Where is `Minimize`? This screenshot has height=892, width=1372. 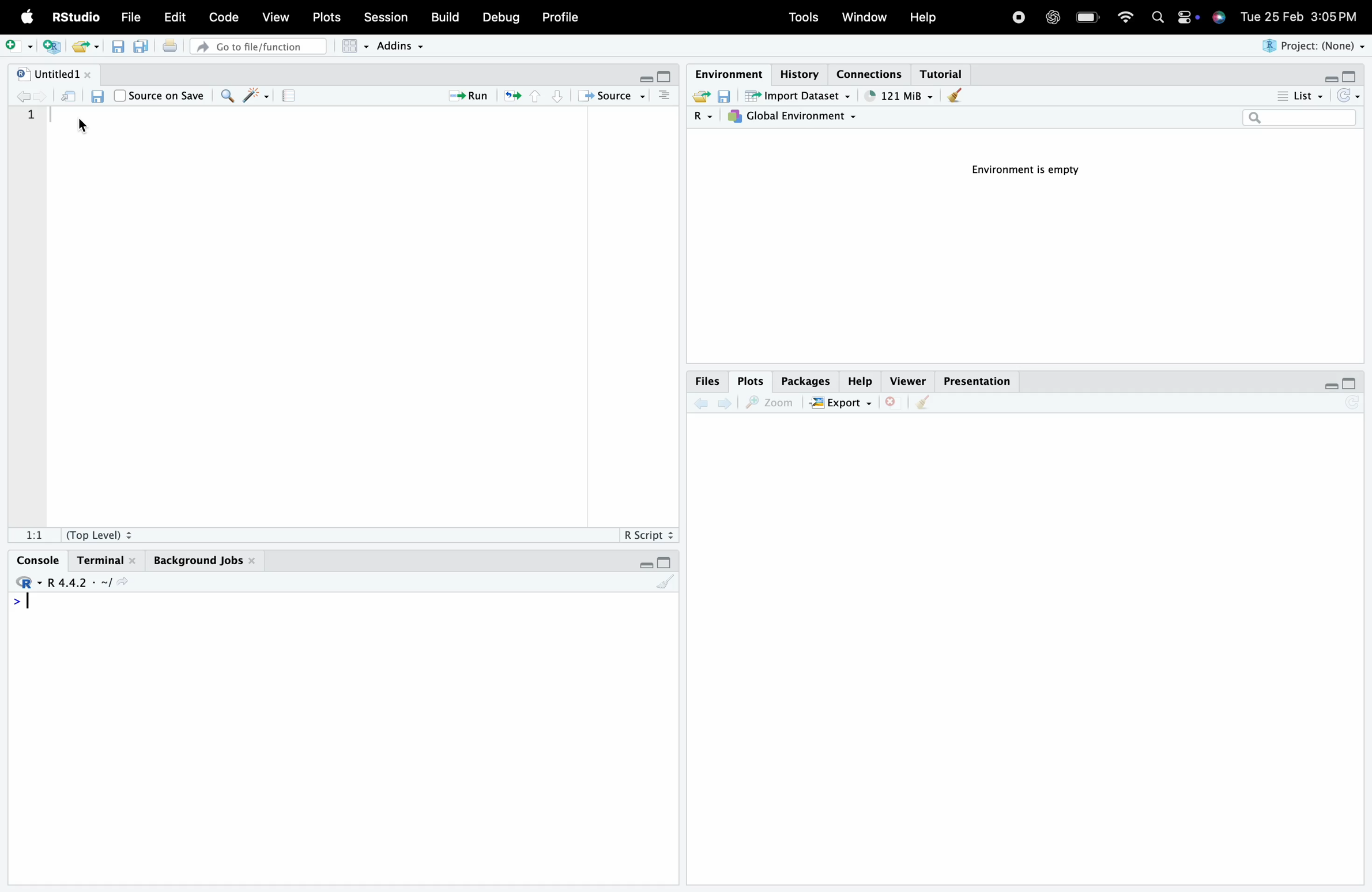 Minimize is located at coordinates (646, 565).